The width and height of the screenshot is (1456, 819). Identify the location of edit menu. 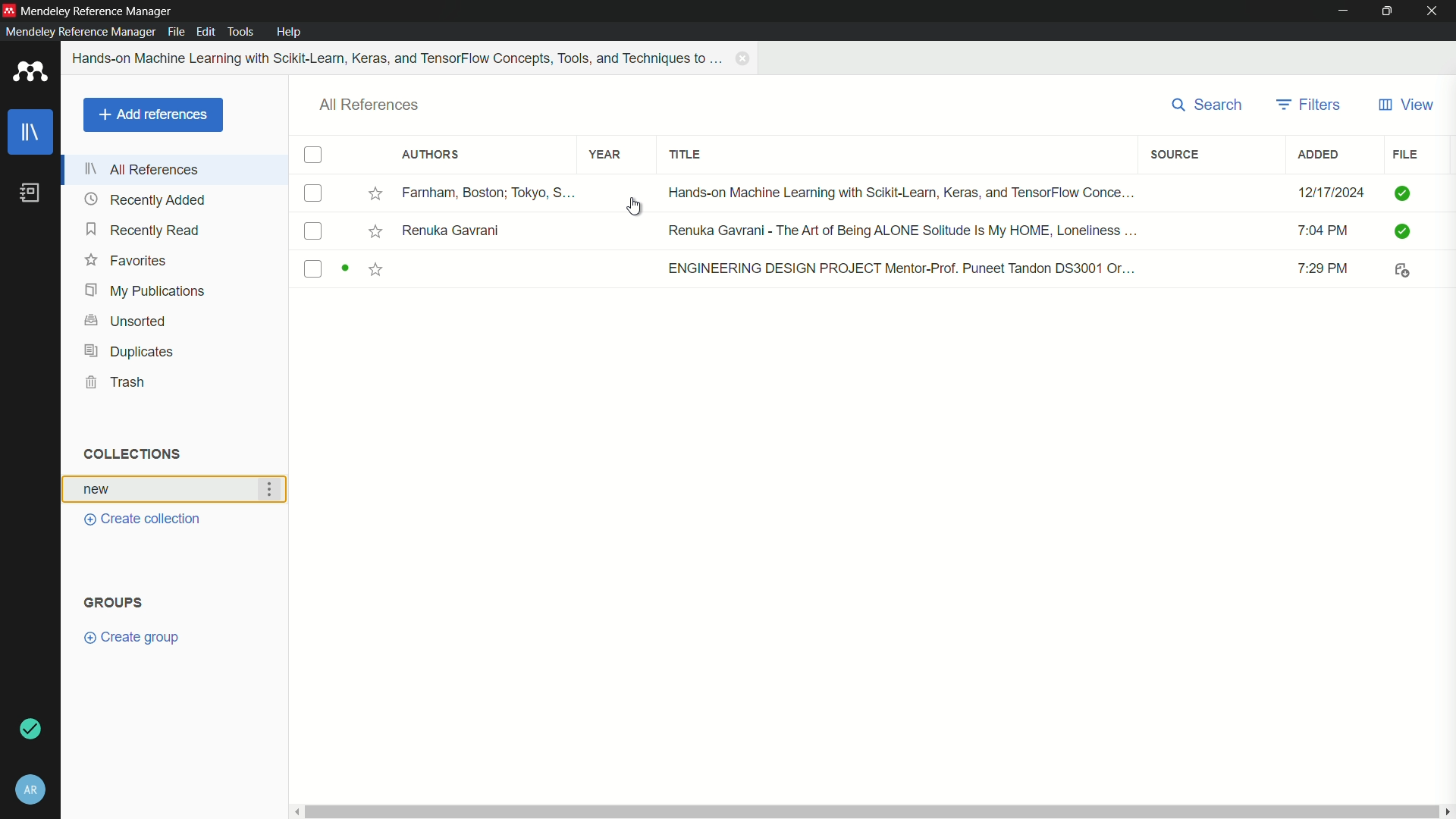
(206, 32).